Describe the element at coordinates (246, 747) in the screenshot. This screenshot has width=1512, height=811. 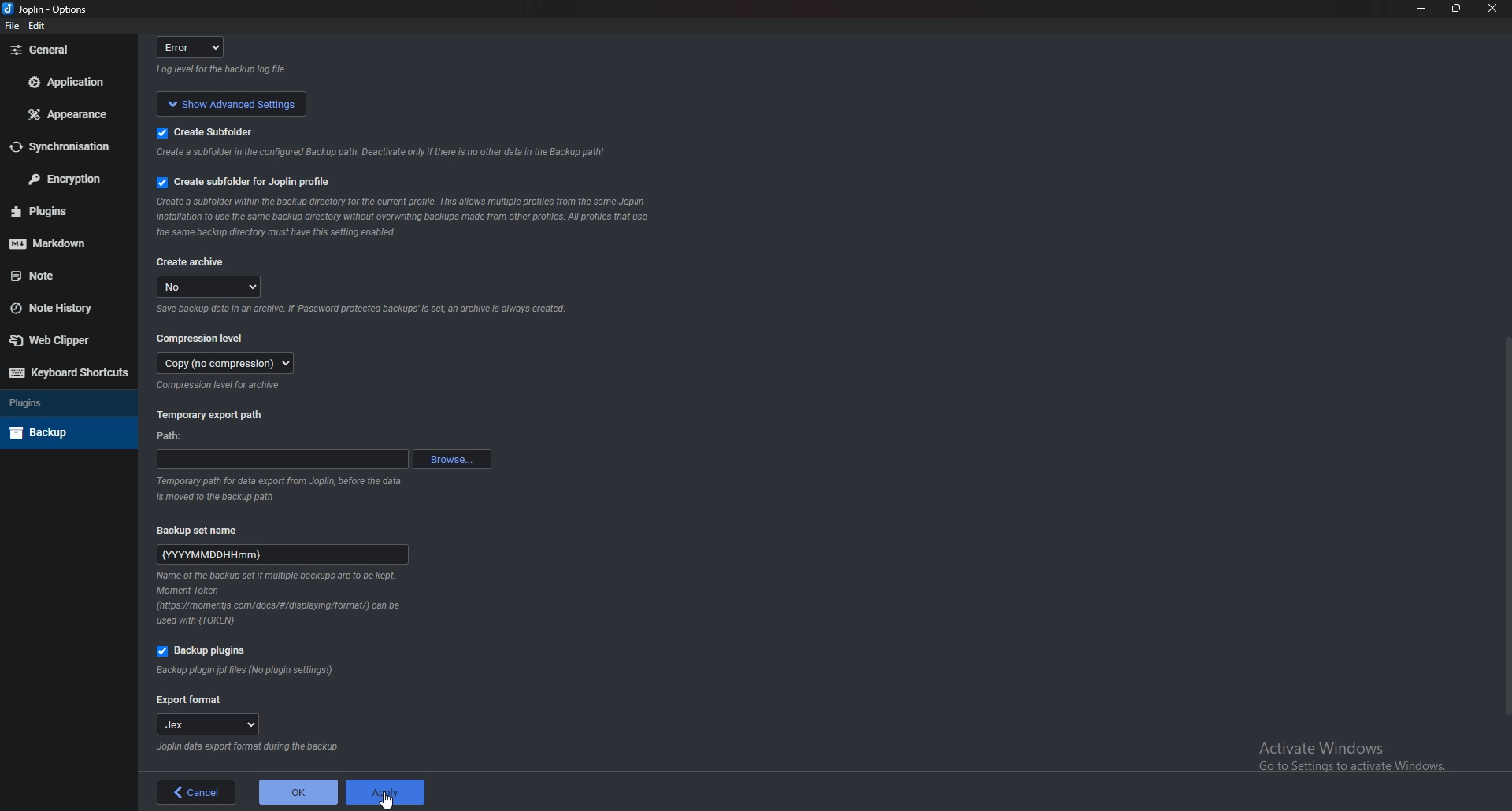
I see `Info` at that location.